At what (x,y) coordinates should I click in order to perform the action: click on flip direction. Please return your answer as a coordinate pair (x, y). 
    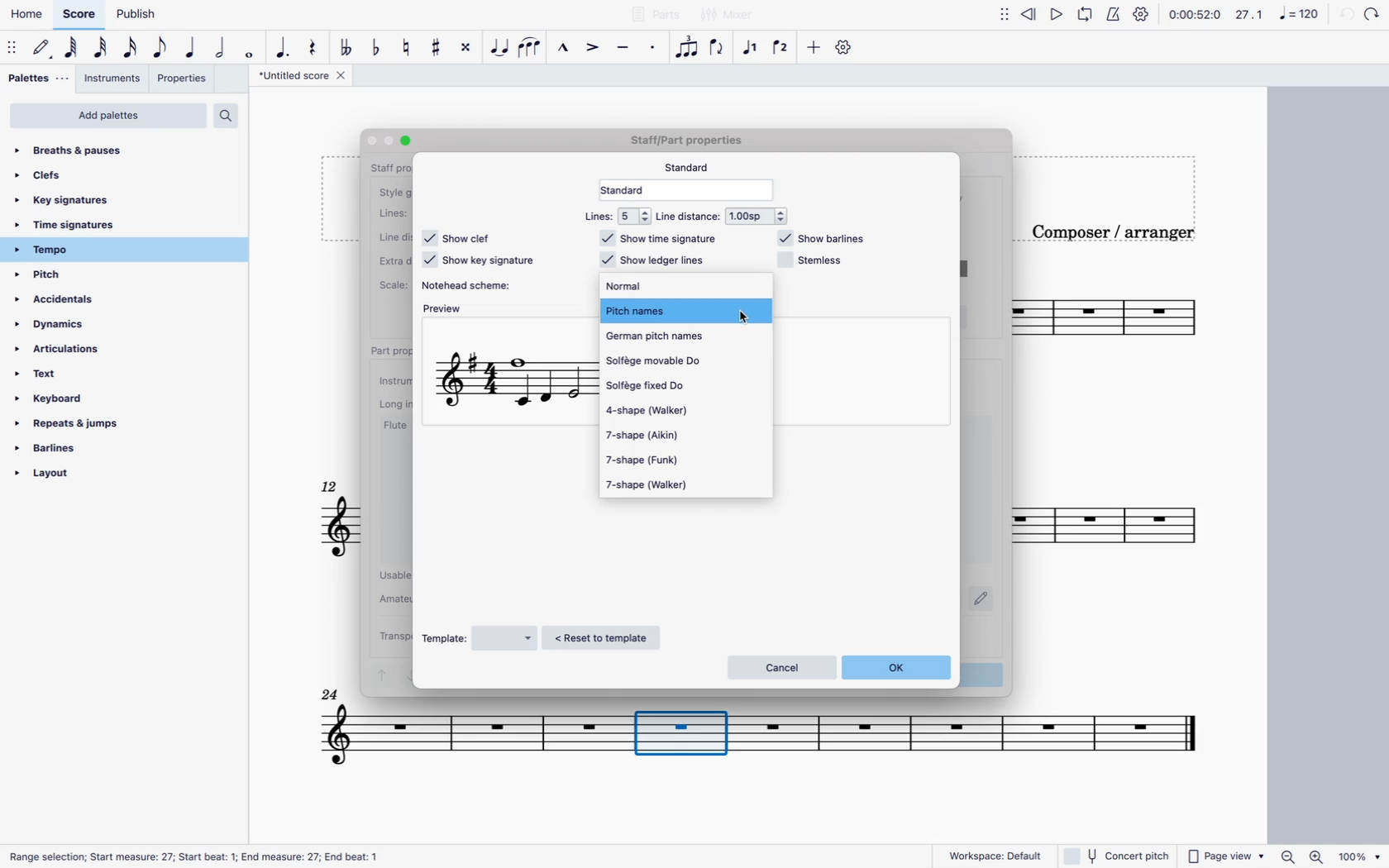
    Looking at the image, I should click on (719, 48).